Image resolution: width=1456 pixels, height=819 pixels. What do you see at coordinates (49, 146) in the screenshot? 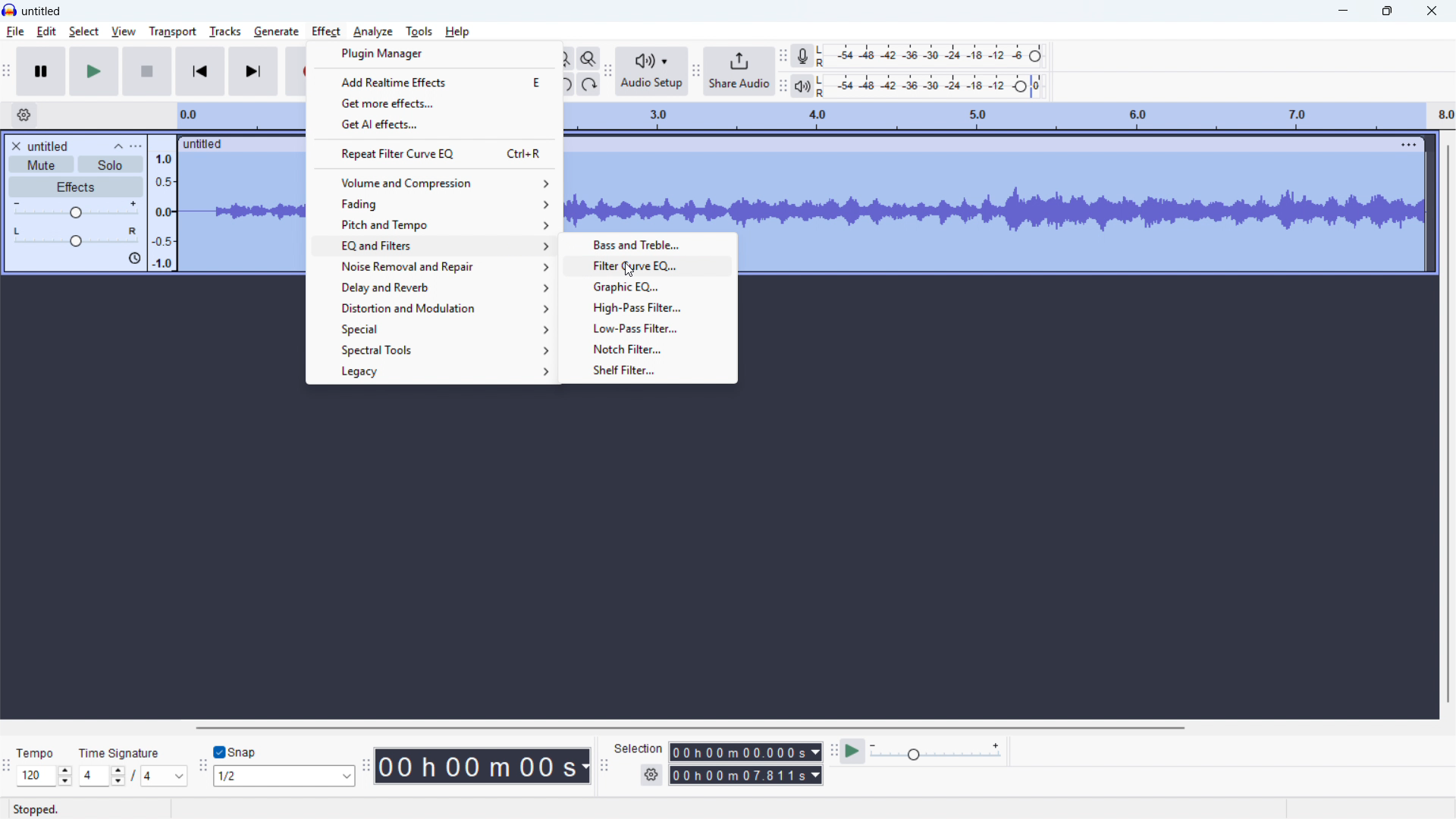
I see `track title` at bounding box center [49, 146].